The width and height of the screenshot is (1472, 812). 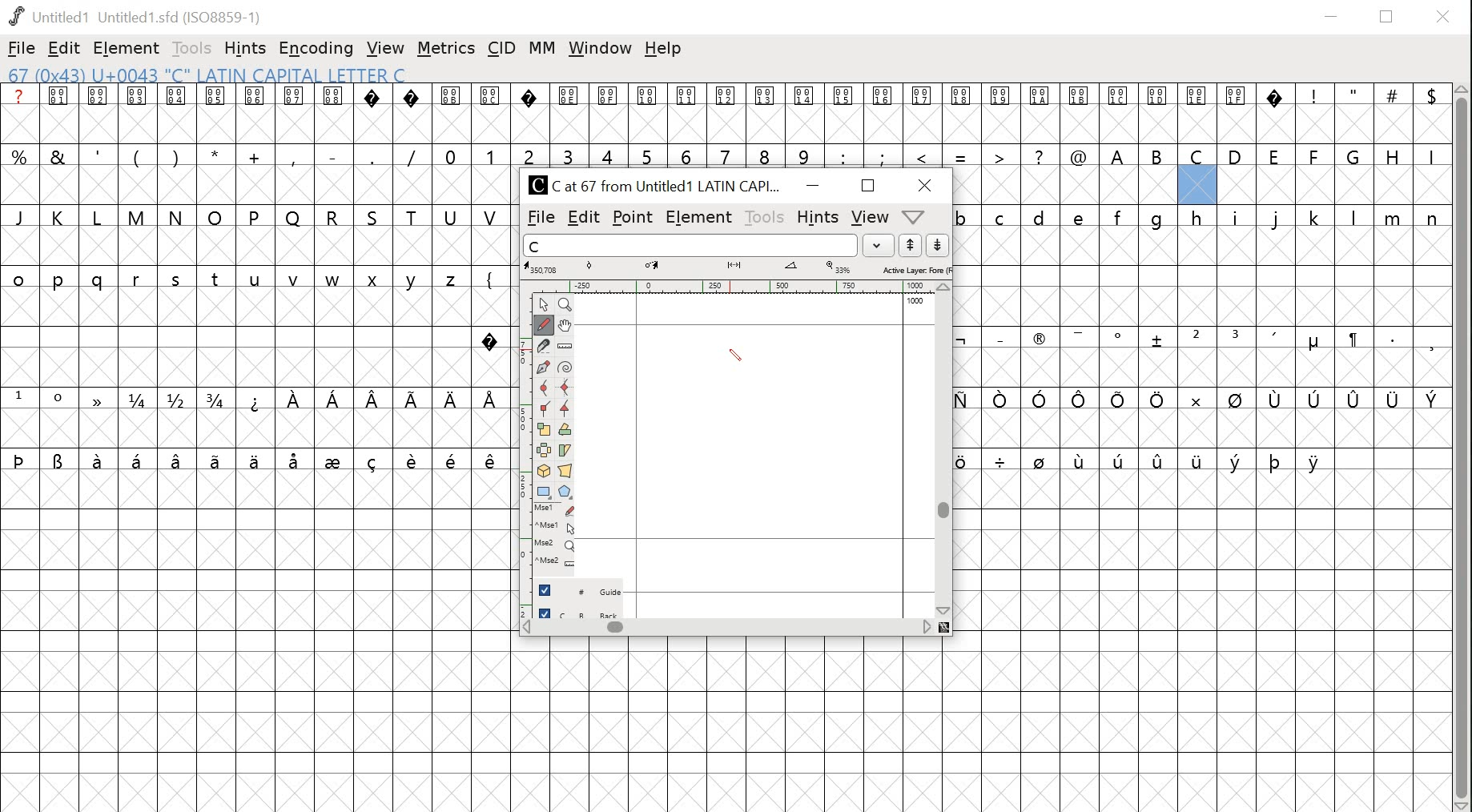 What do you see at coordinates (633, 215) in the screenshot?
I see `point` at bounding box center [633, 215].